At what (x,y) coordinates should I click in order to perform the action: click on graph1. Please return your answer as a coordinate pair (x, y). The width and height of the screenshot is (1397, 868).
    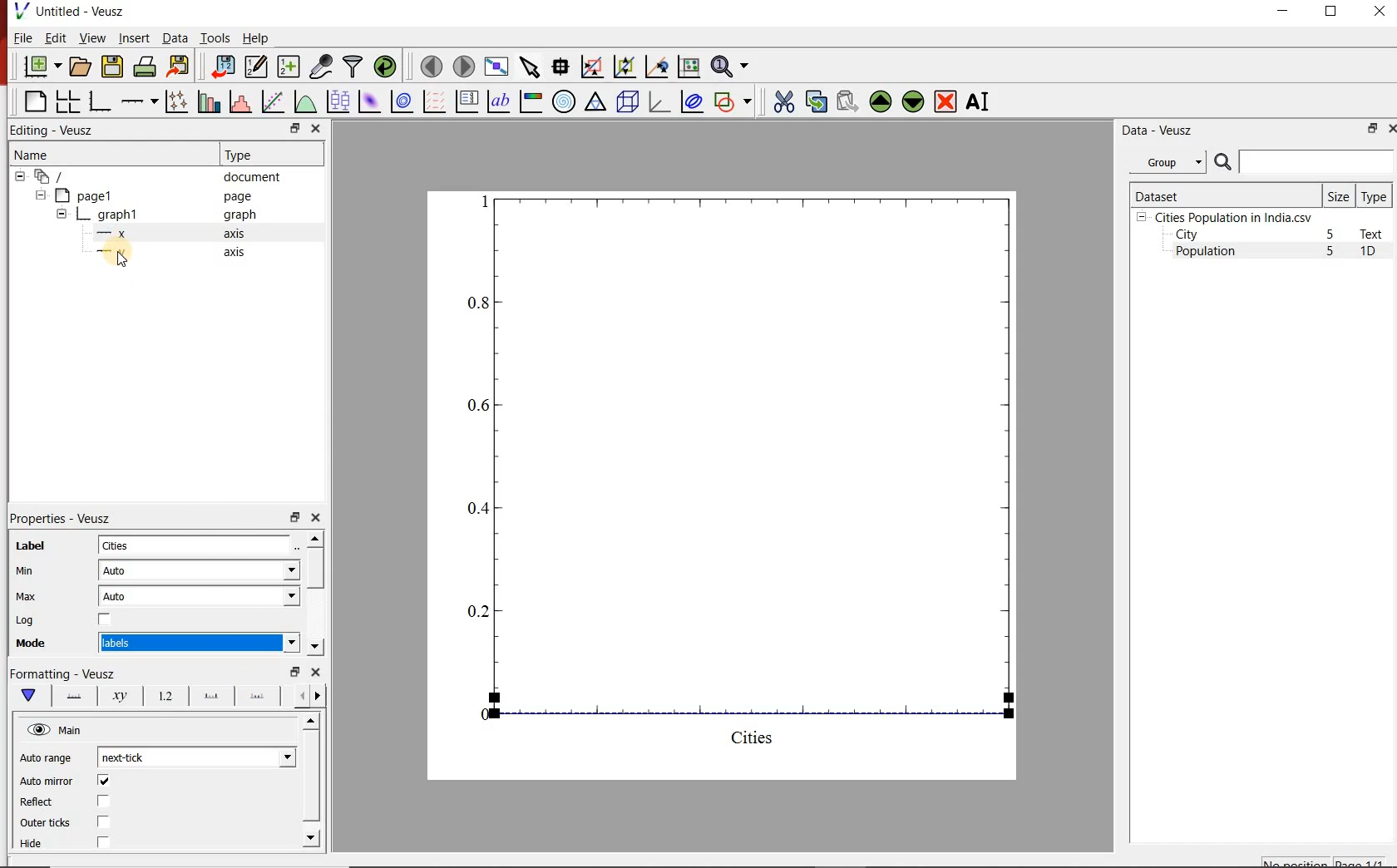
    Looking at the image, I should click on (159, 215).